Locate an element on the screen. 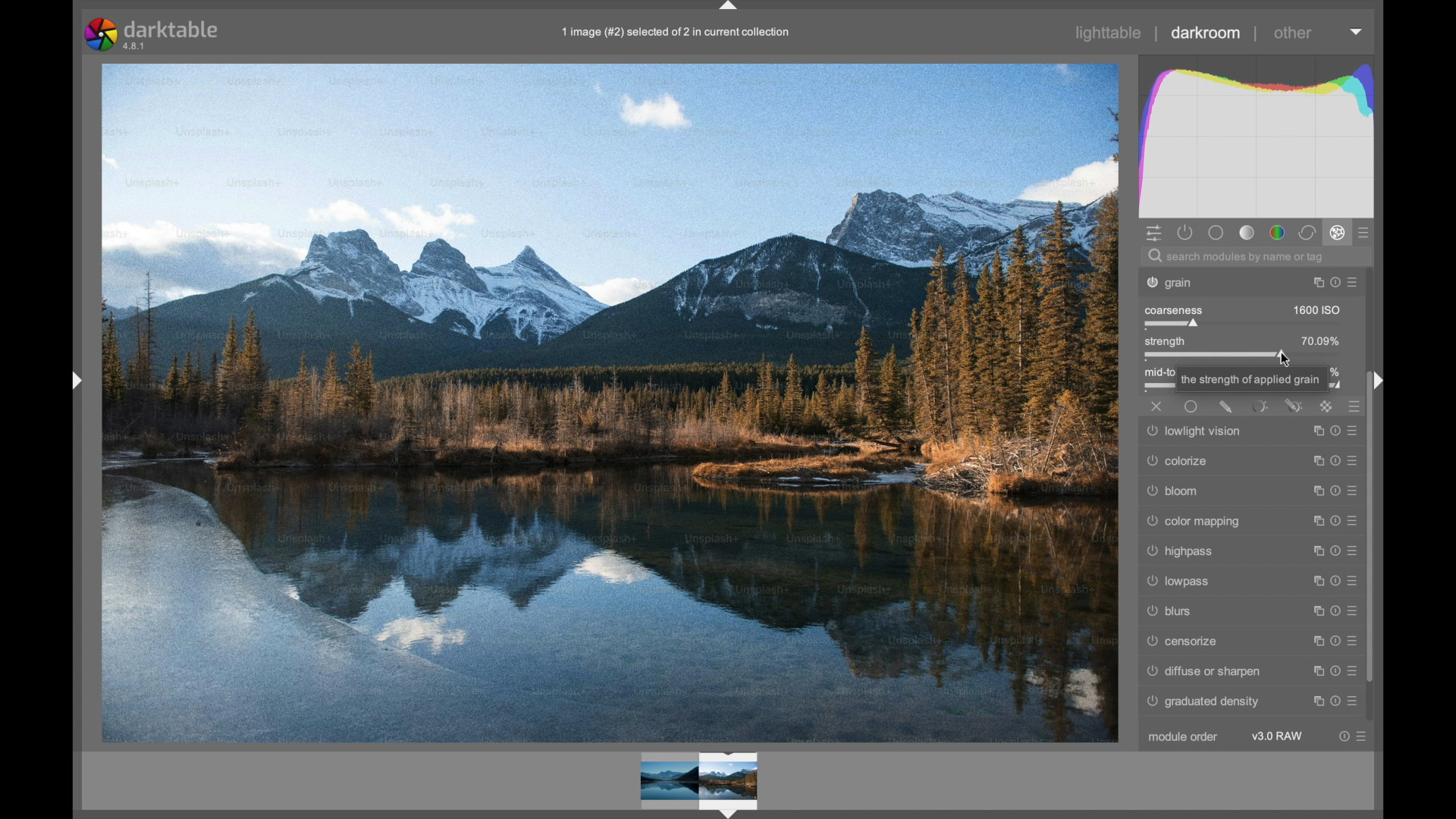 This screenshot has width=1456, height=819. cursor is located at coordinates (1283, 358).